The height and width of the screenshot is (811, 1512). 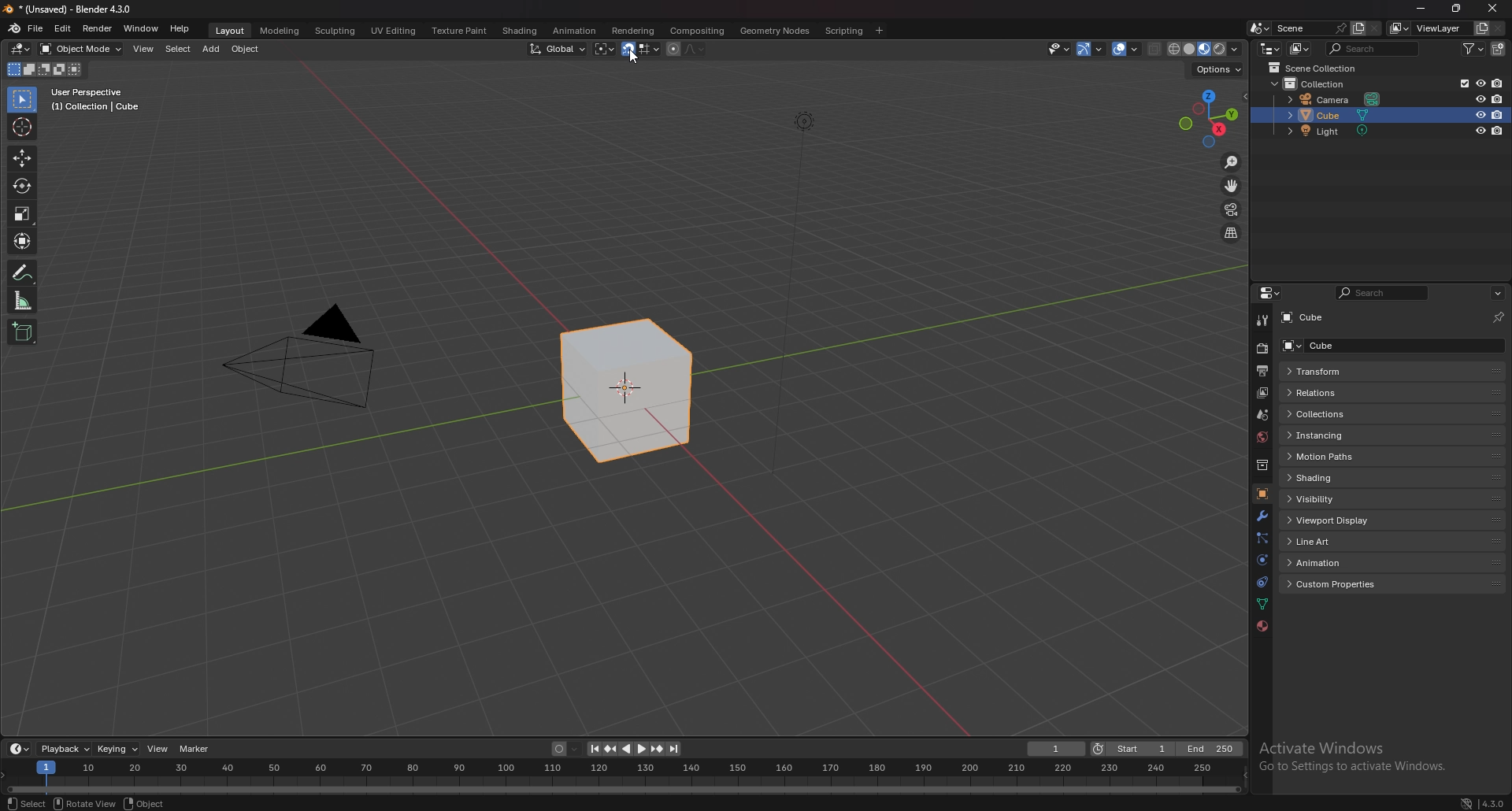 I want to click on sculpting, so click(x=335, y=30).